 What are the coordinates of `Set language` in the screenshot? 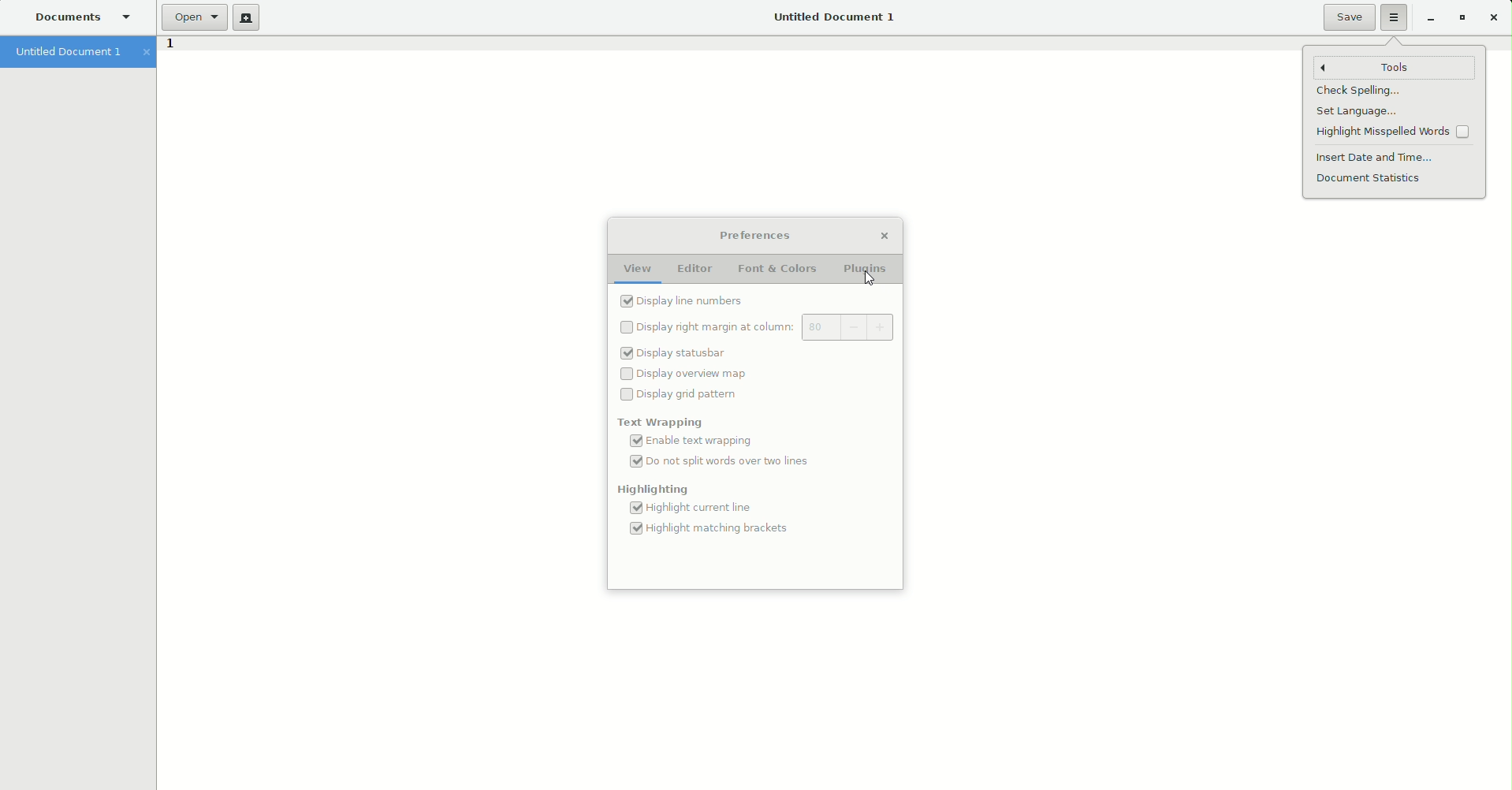 It's located at (1354, 112).